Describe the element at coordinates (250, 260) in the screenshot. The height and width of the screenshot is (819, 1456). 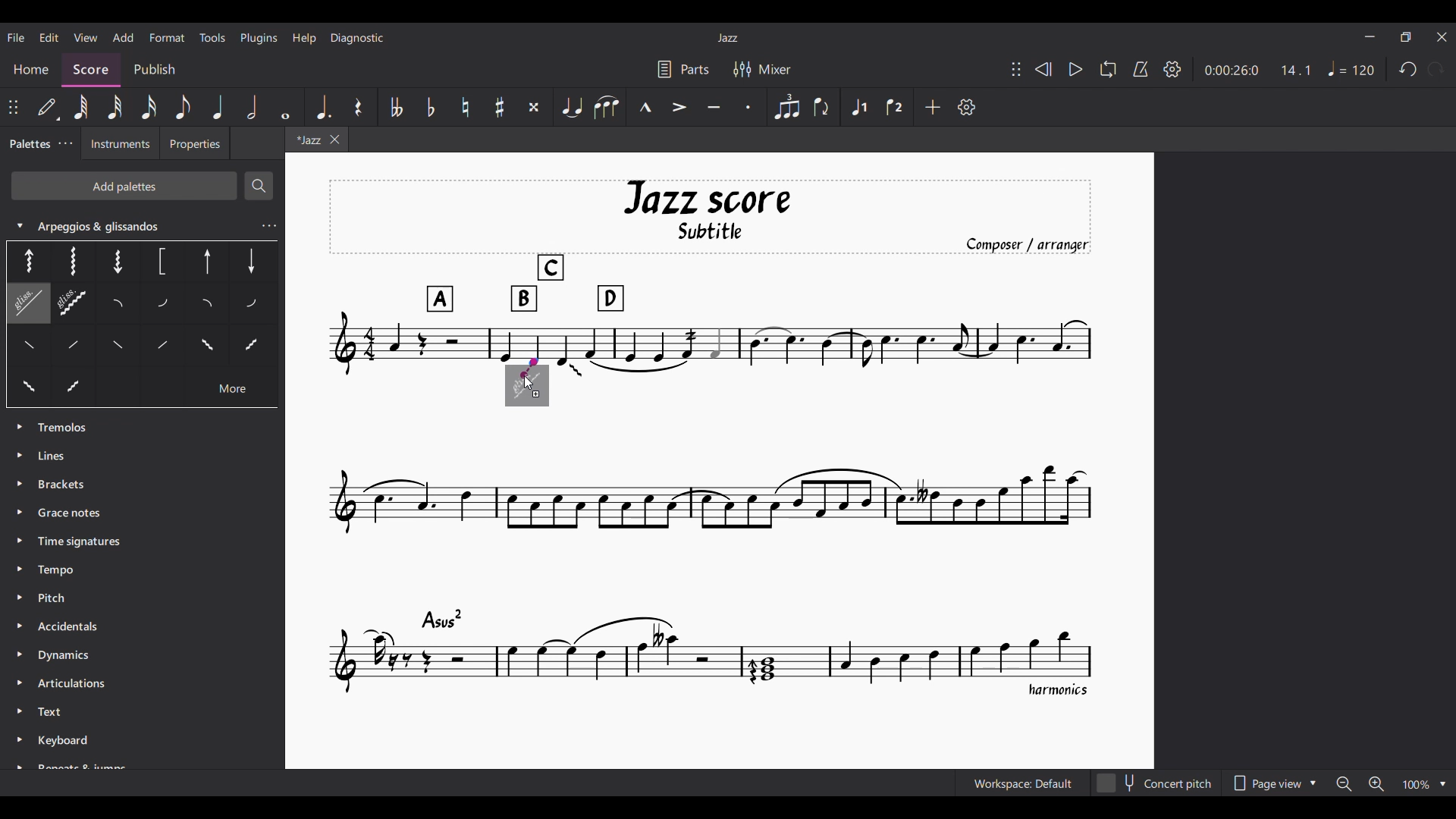
I see `Plate 6` at that location.